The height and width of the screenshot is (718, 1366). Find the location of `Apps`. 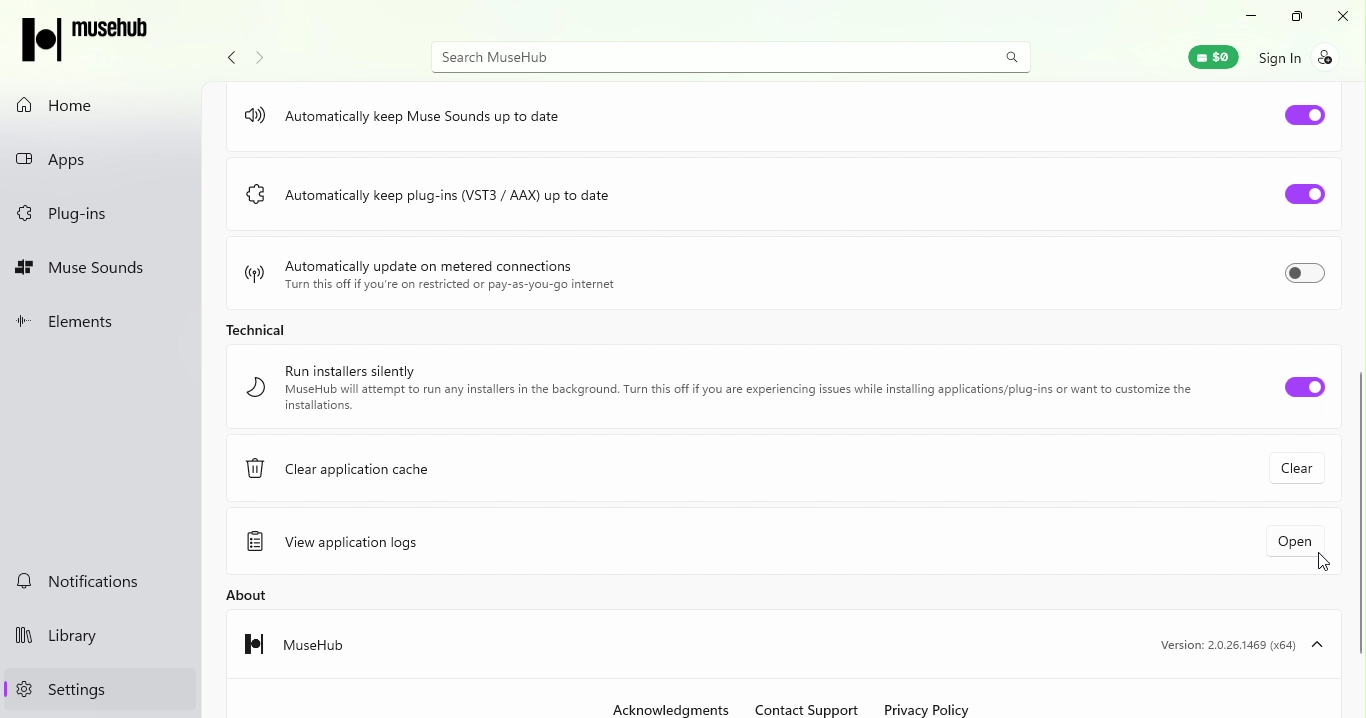

Apps is located at coordinates (88, 164).